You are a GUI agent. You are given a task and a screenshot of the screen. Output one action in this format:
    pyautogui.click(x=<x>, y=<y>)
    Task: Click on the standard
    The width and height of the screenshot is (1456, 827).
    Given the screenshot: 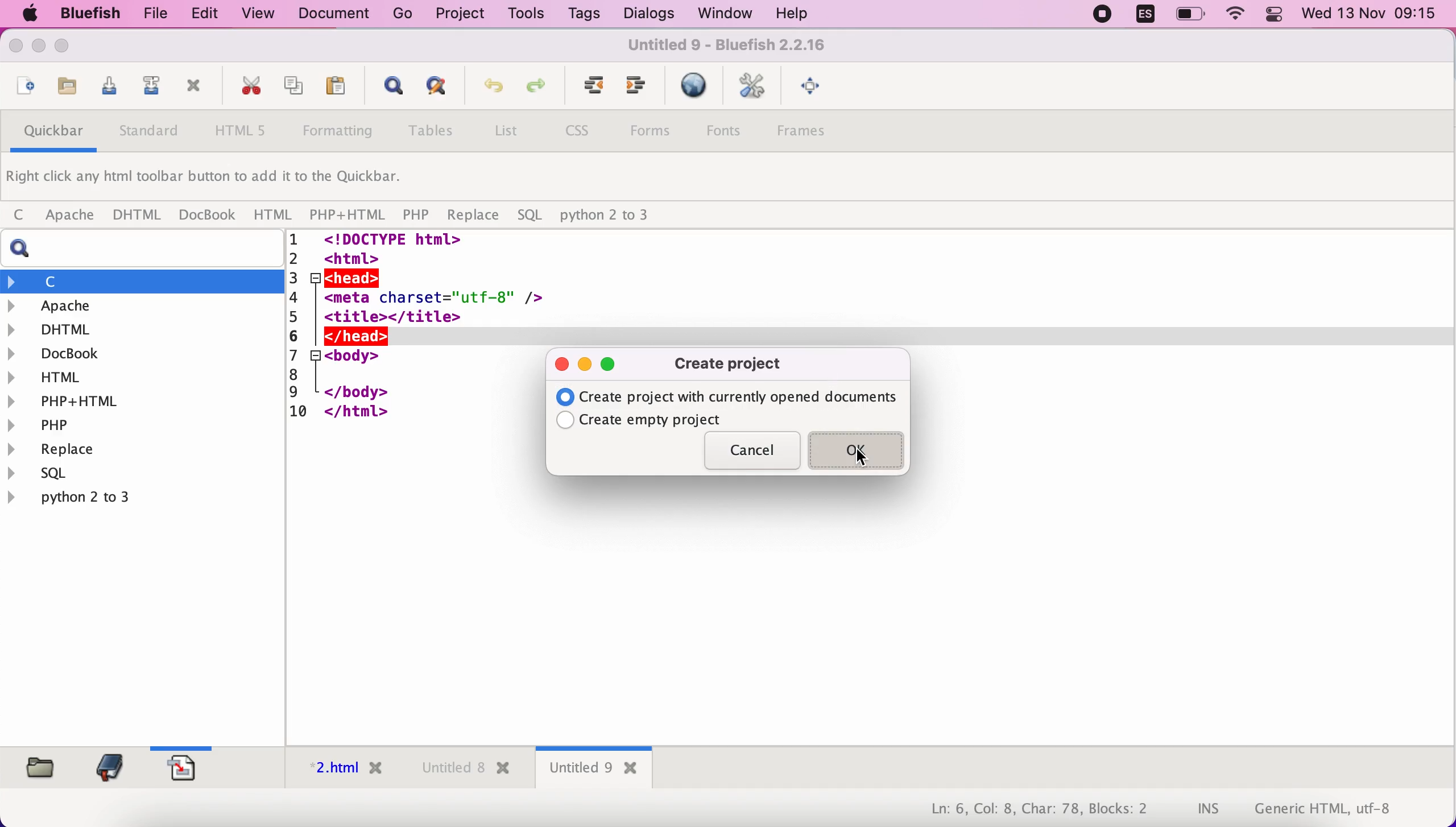 What is the action you would take?
    pyautogui.click(x=150, y=134)
    